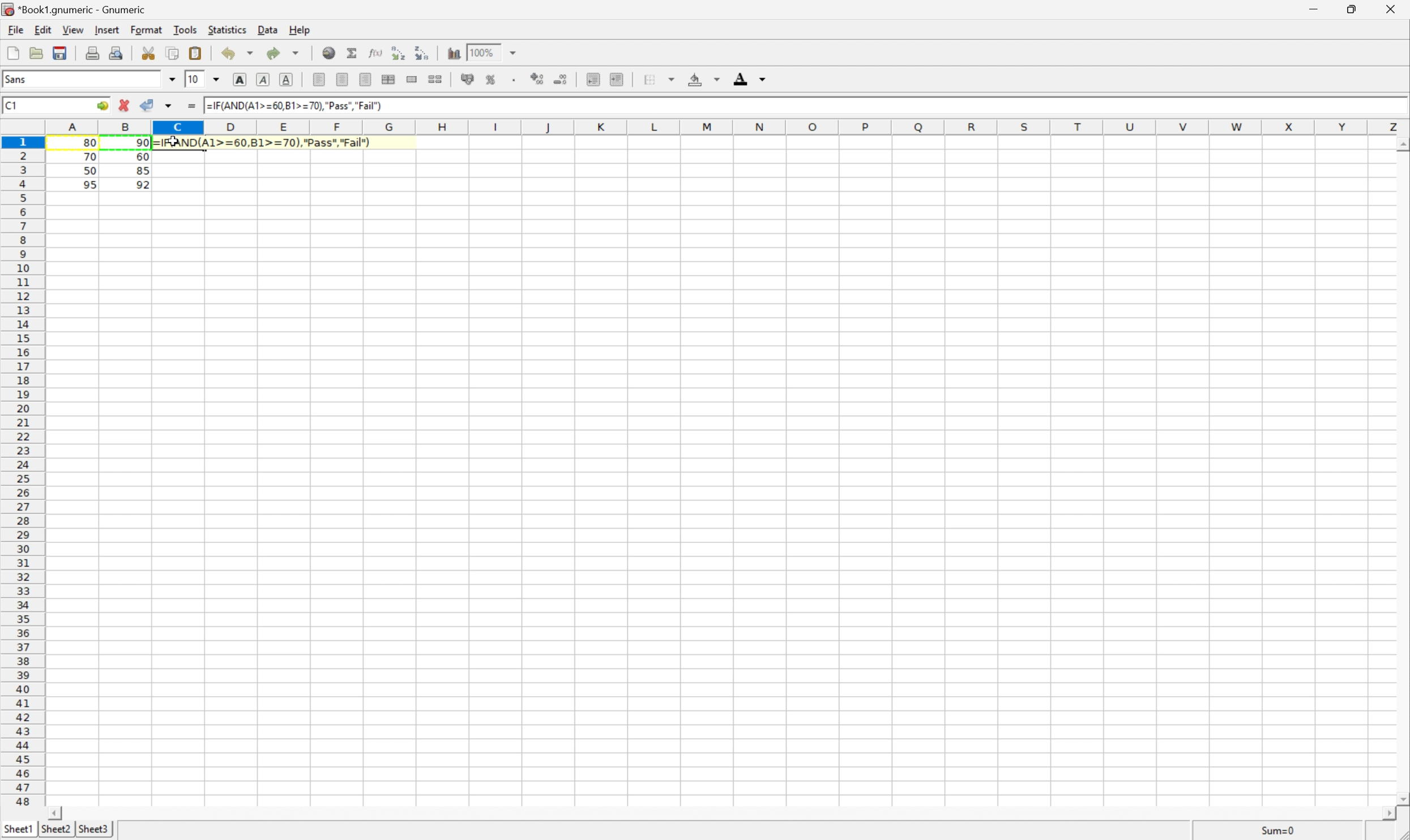 The image size is (1410, 840). I want to click on Sheet3, so click(93, 829).